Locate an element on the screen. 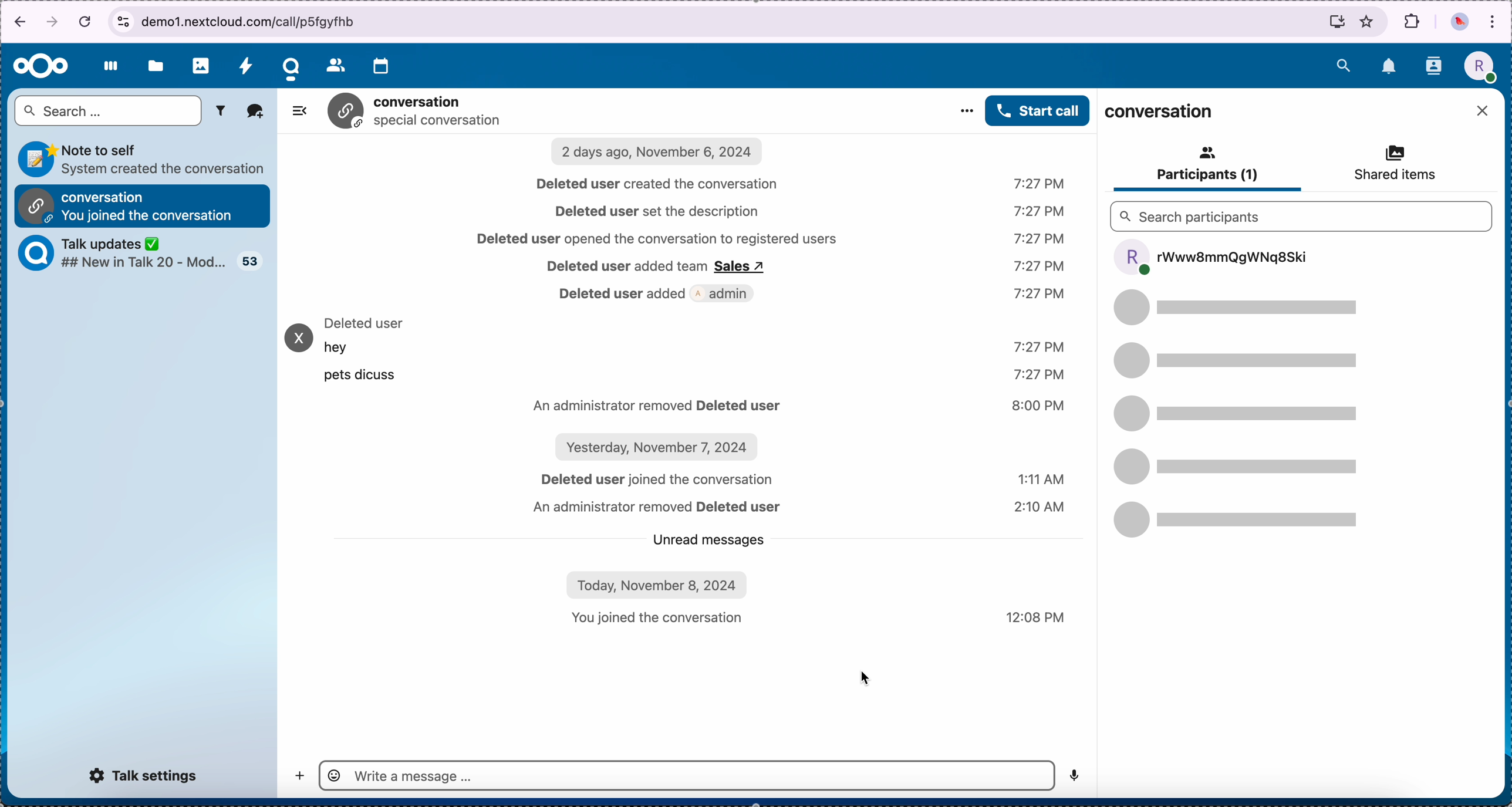 Image resolution: width=1512 pixels, height=807 pixels. cursor on talk is located at coordinates (294, 65).